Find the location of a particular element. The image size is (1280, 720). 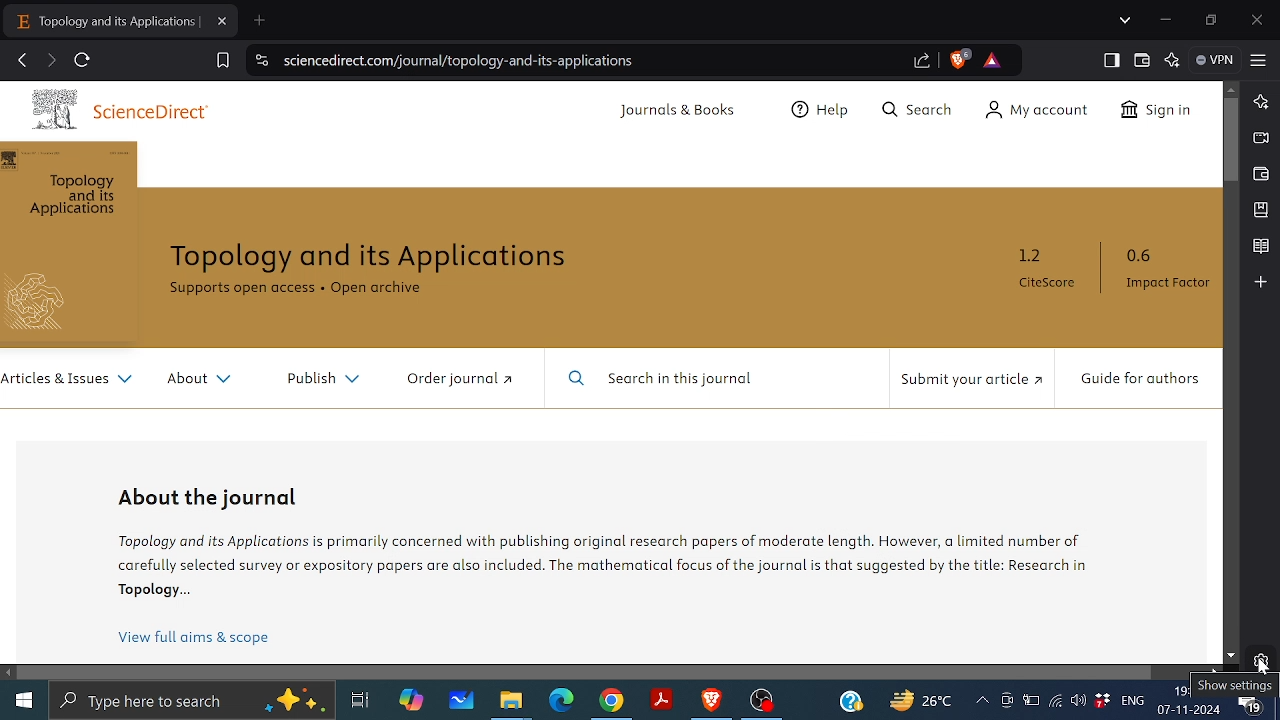

Open Archive is located at coordinates (379, 287).